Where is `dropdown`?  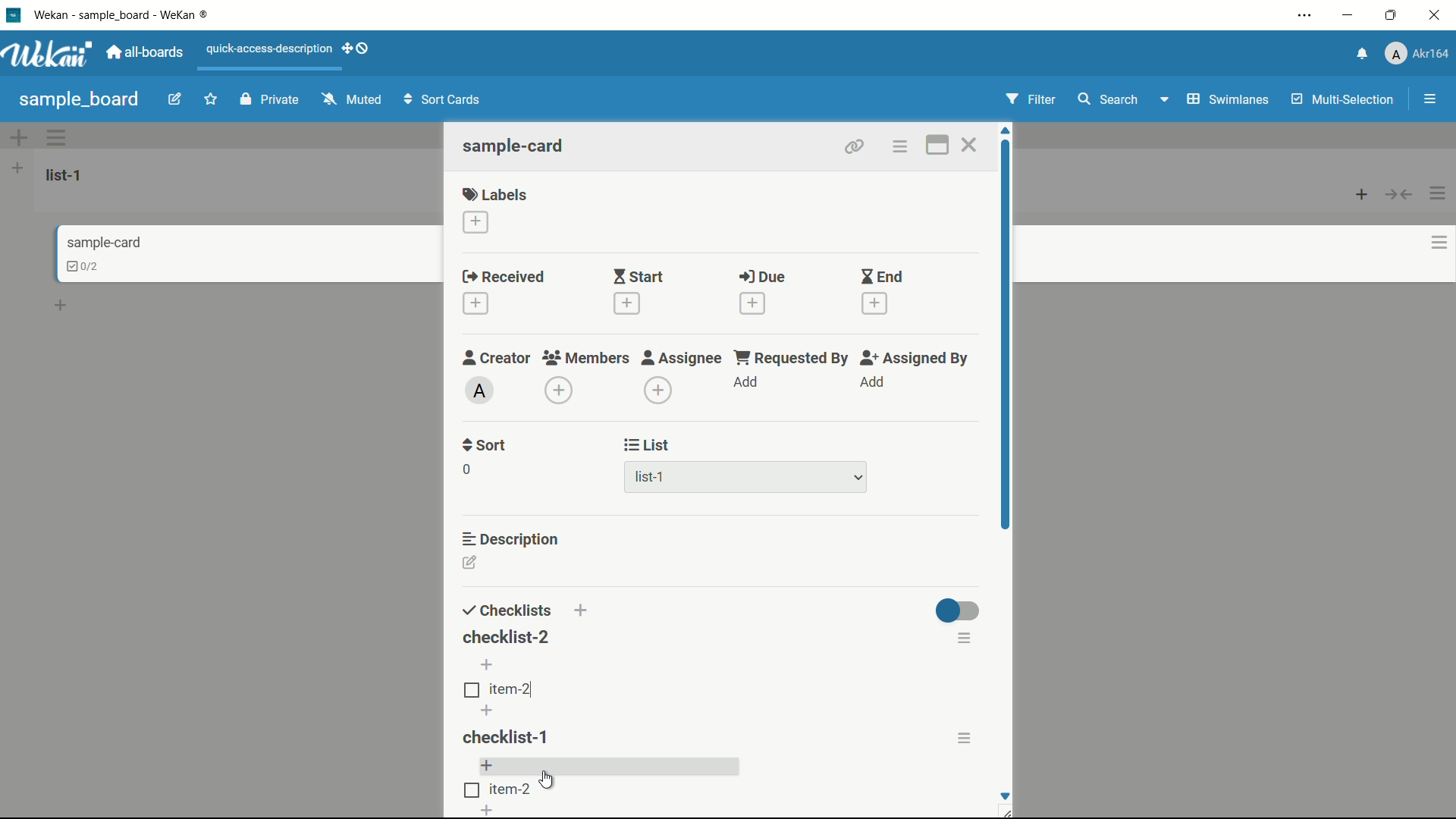 dropdown is located at coordinates (858, 479).